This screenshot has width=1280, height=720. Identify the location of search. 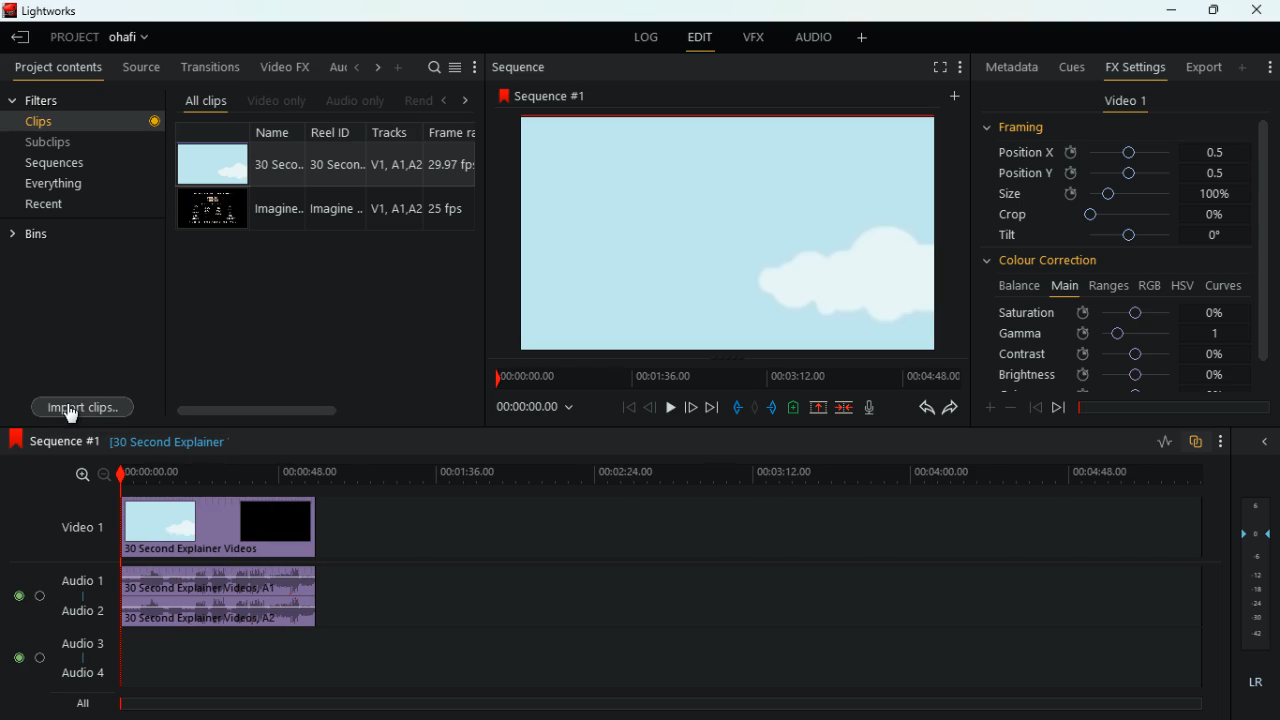
(430, 68).